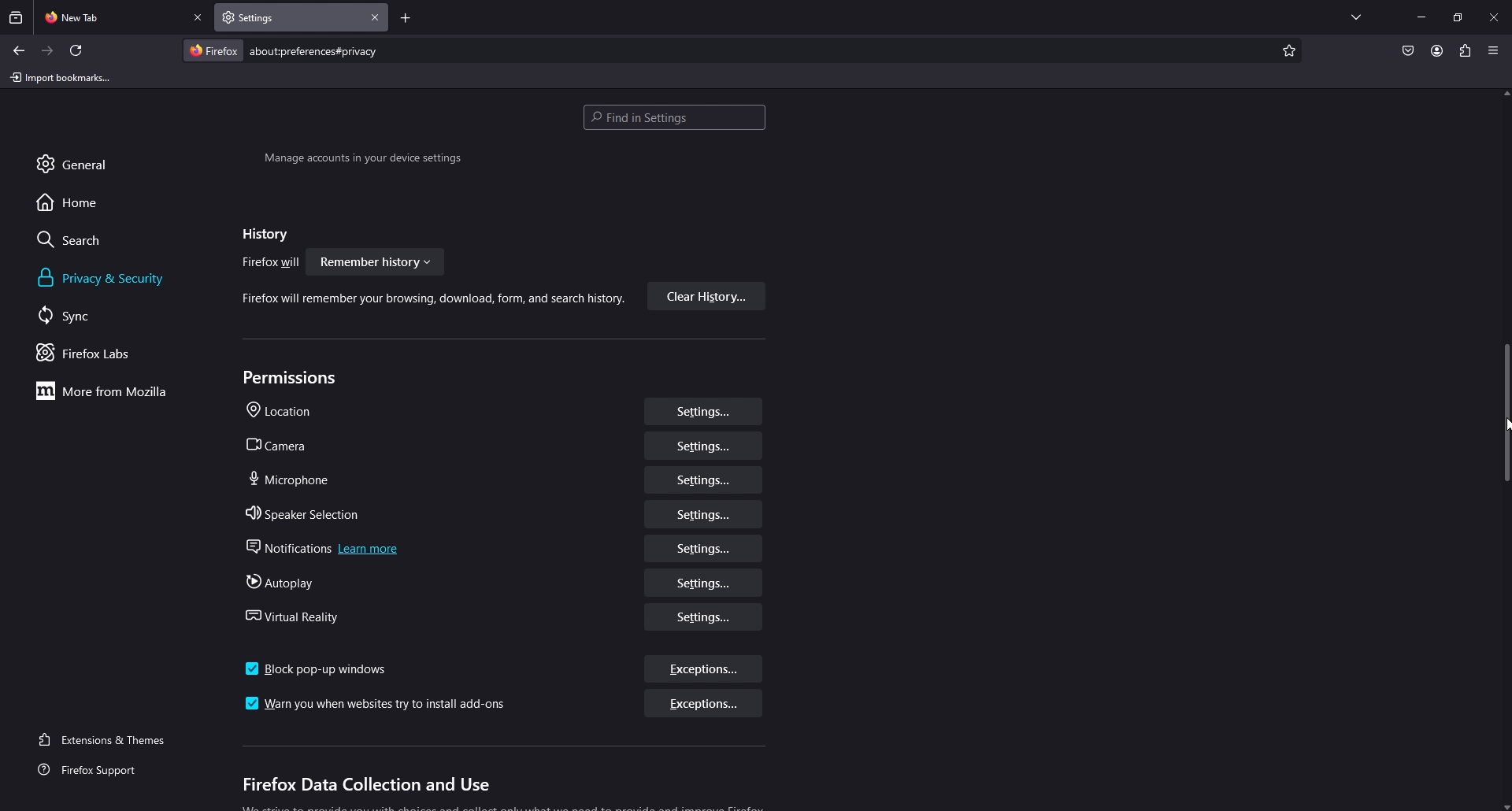  What do you see at coordinates (705, 446) in the screenshot?
I see `settings` at bounding box center [705, 446].